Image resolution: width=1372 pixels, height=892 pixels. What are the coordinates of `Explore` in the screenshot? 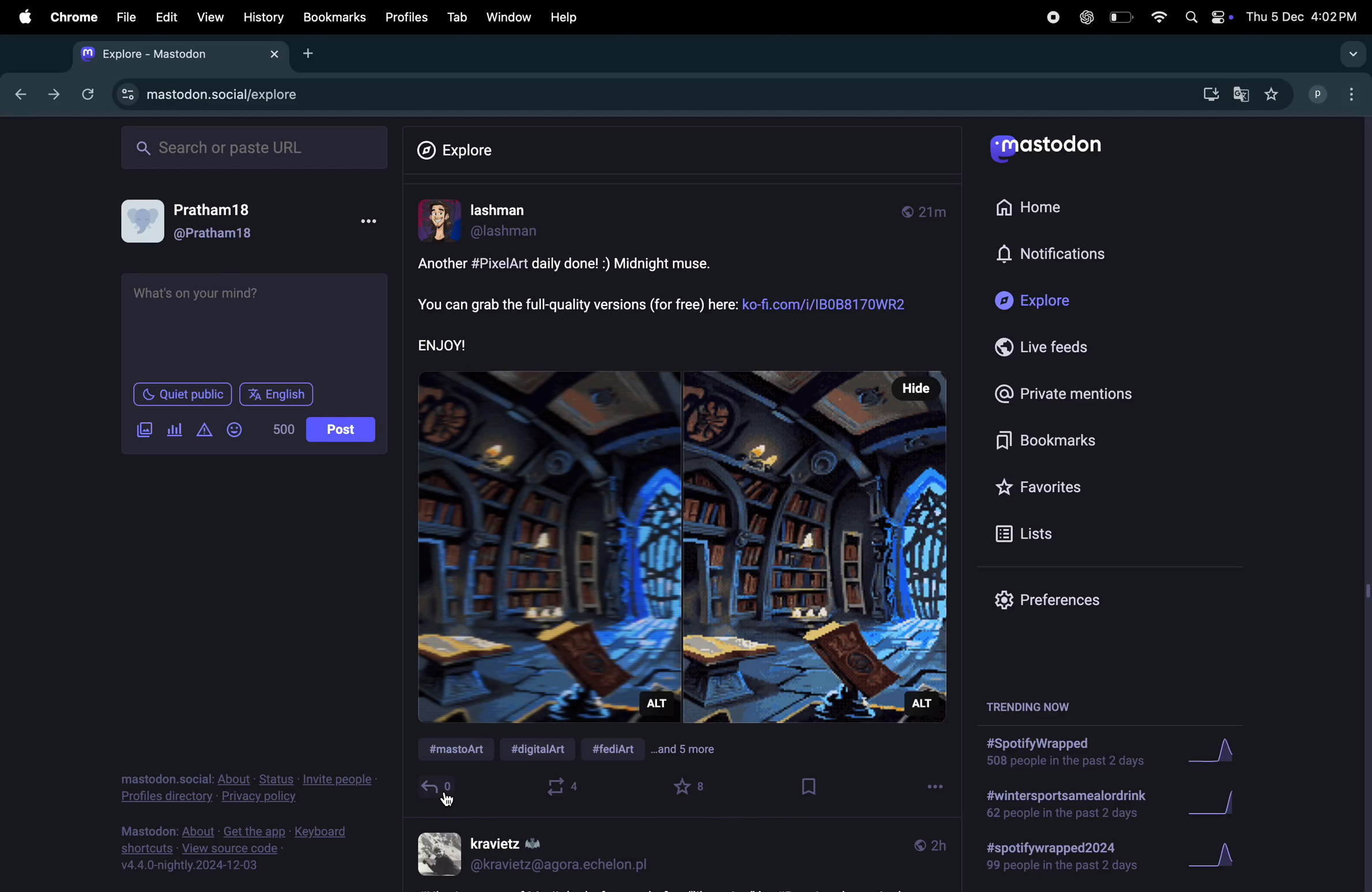 It's located at (1063, 304).